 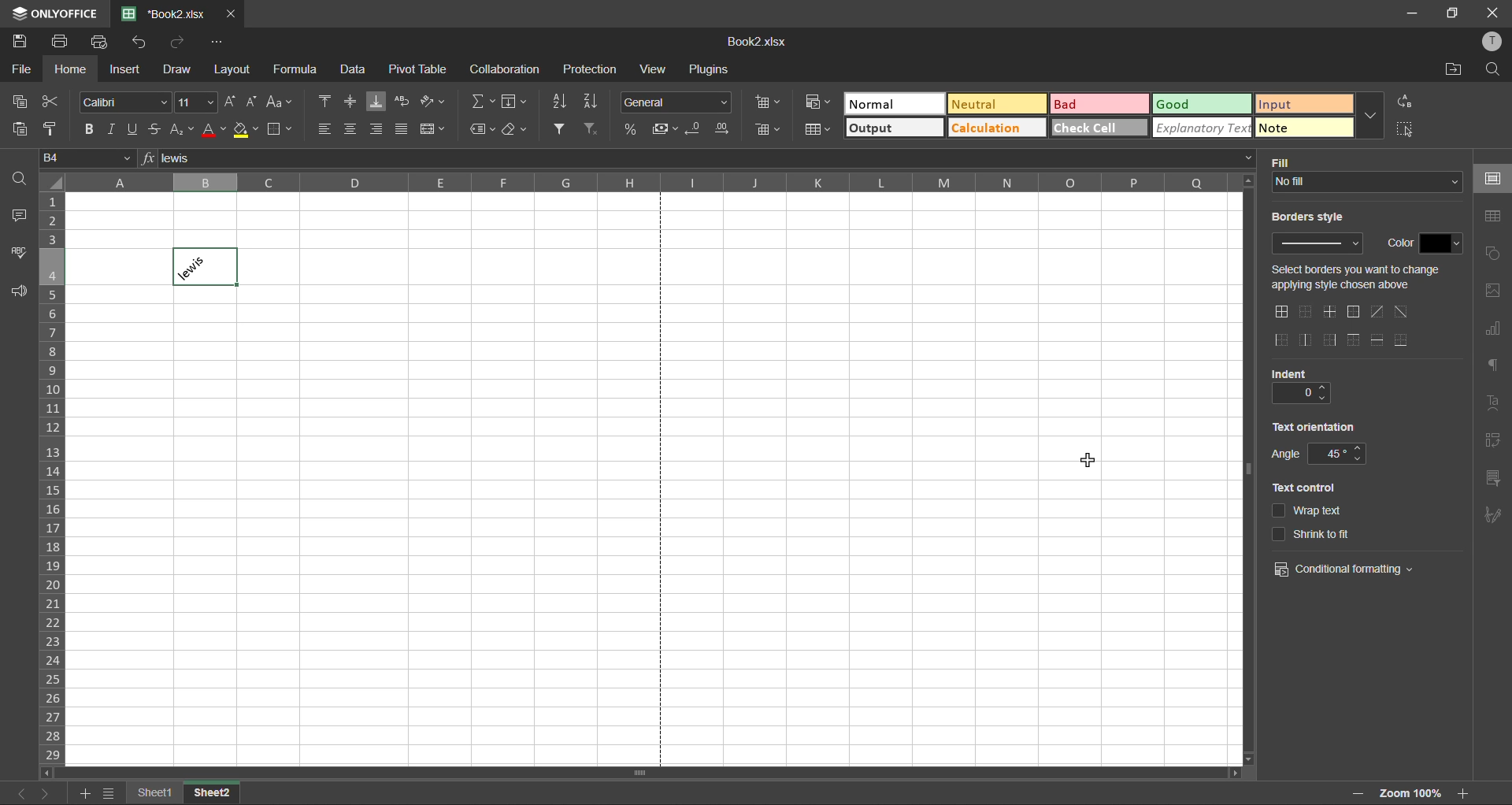 What do you see at coordinates (1249, 181) in the screenshot?
I see `move up` at bounding box center [1249, 181].